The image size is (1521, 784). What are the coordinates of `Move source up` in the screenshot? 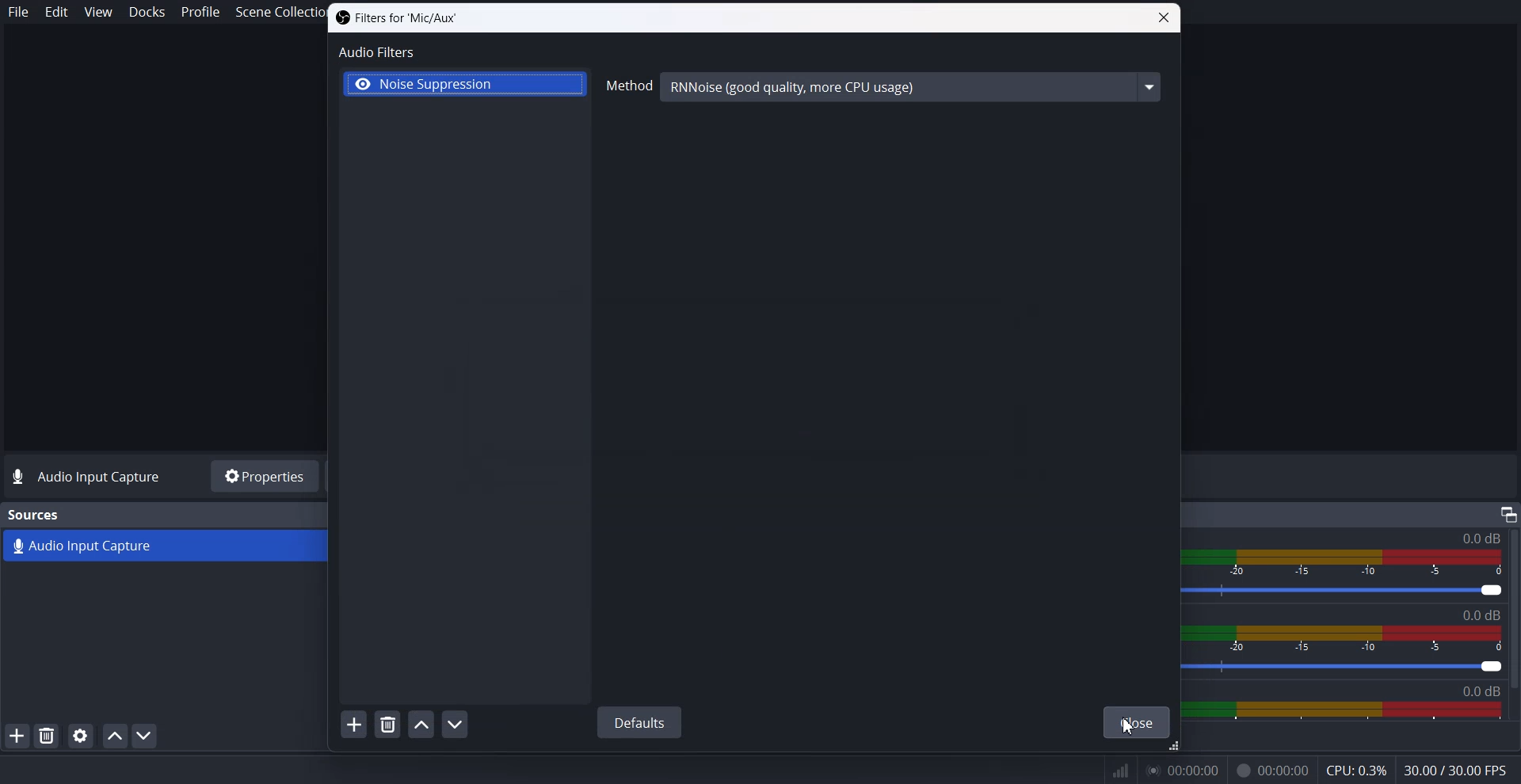 It's located at (115, 736).